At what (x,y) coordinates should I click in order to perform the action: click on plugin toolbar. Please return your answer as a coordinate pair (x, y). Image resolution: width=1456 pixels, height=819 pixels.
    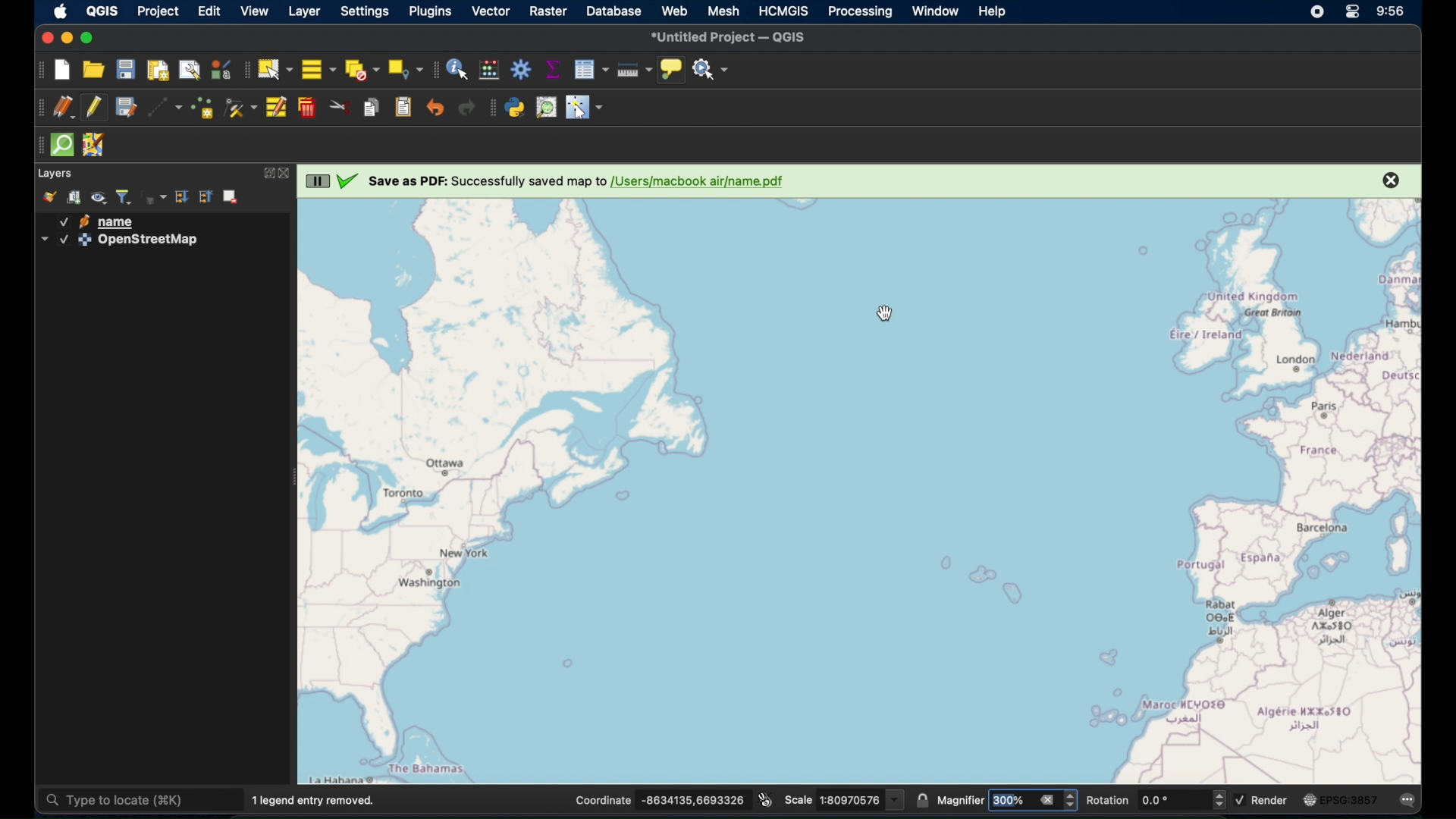
    Looking at the image, I should click on (491, 109).